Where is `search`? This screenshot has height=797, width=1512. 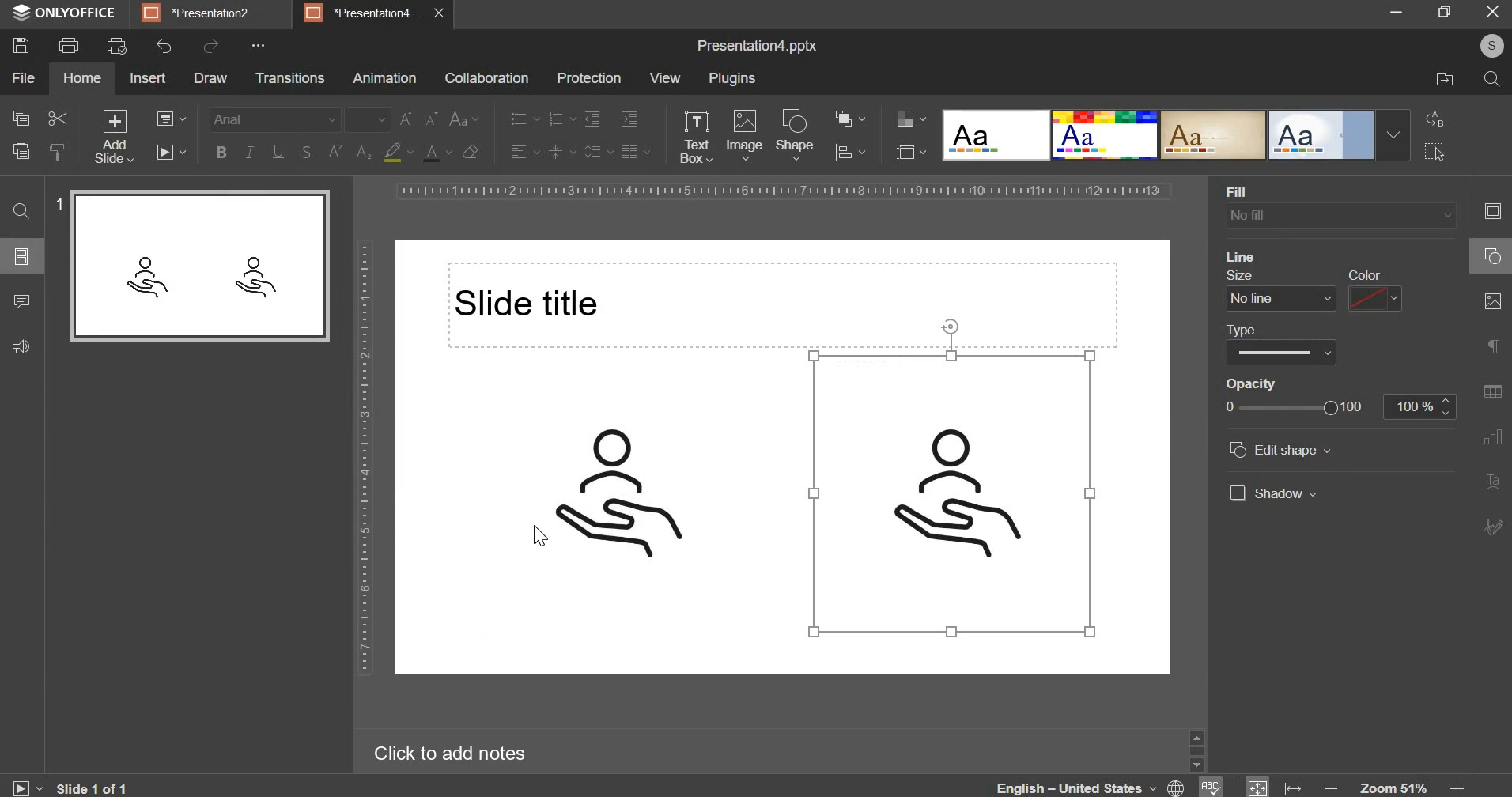
search is located at coordinates (1491, 81).